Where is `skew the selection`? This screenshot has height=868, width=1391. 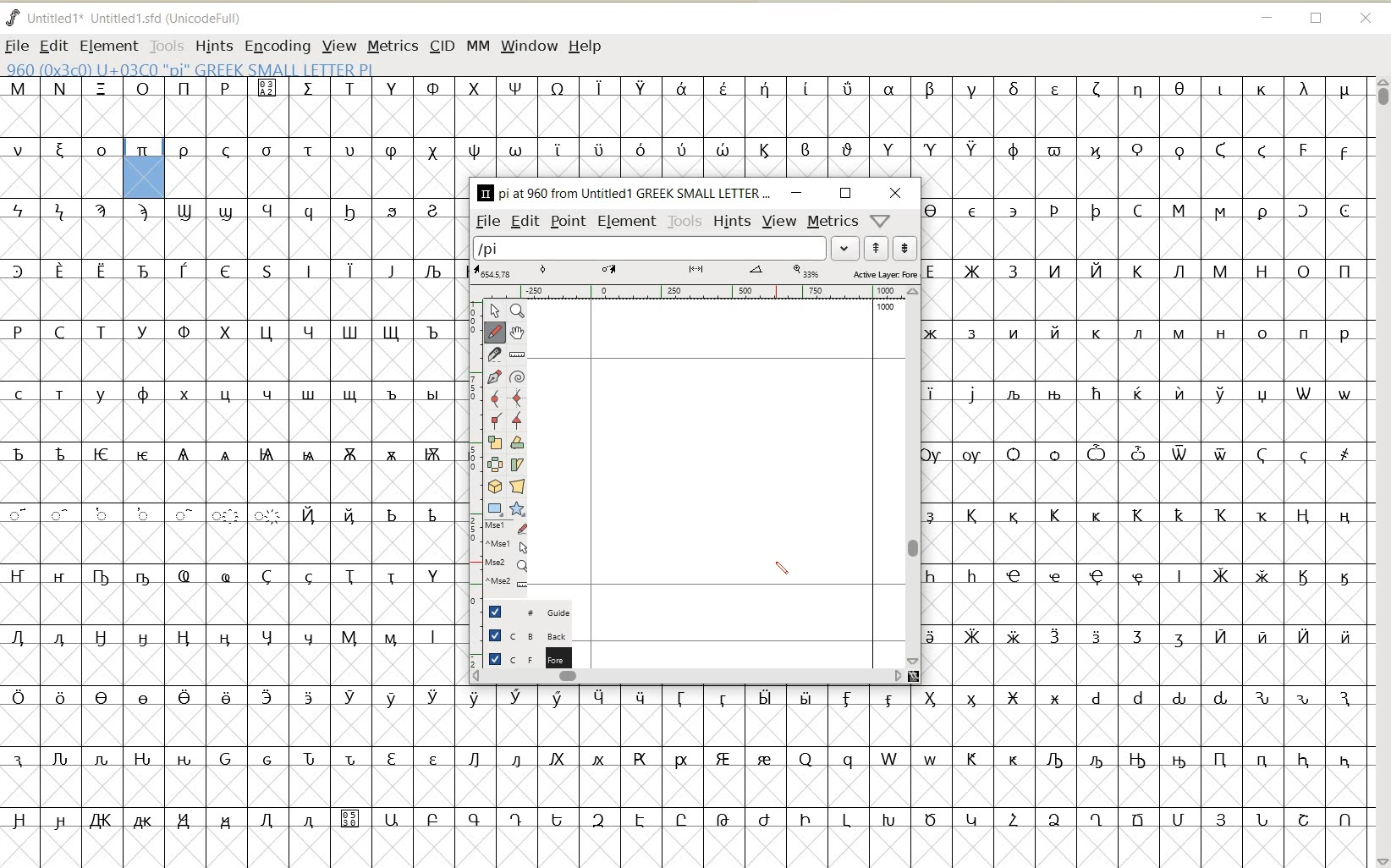 skew the selection is located at coordinates (518, 464).